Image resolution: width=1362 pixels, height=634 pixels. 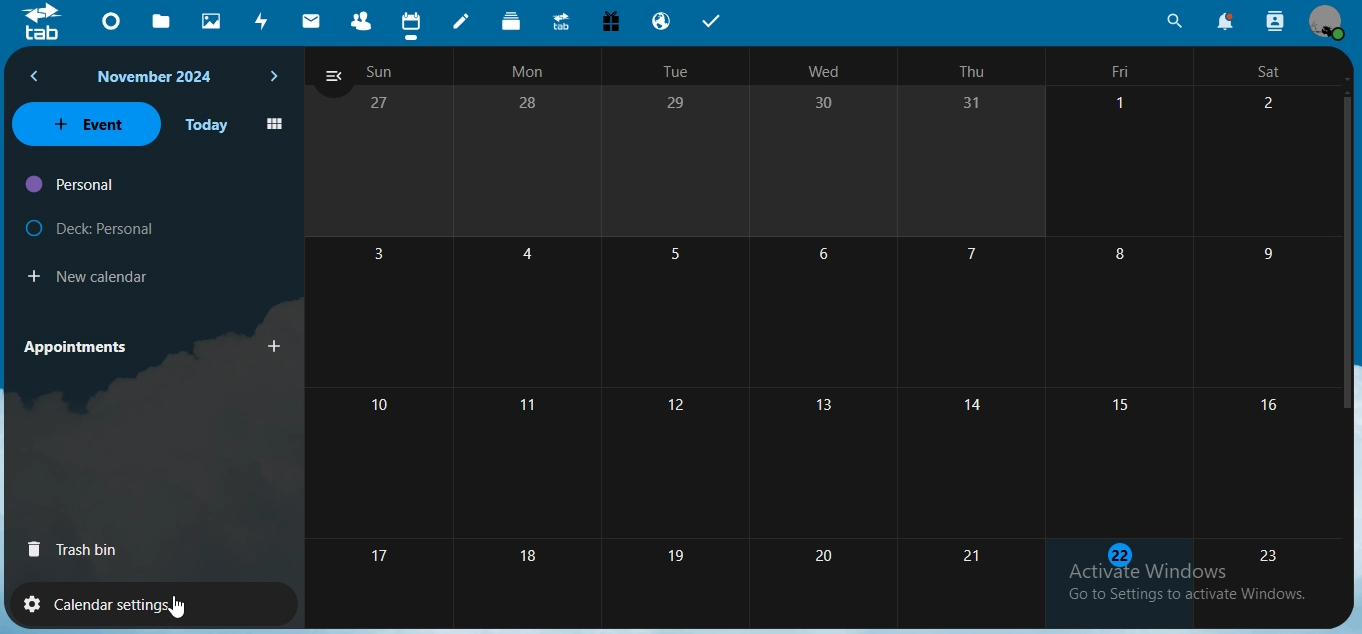 I want to click on notes, so click(x=465, y=22).